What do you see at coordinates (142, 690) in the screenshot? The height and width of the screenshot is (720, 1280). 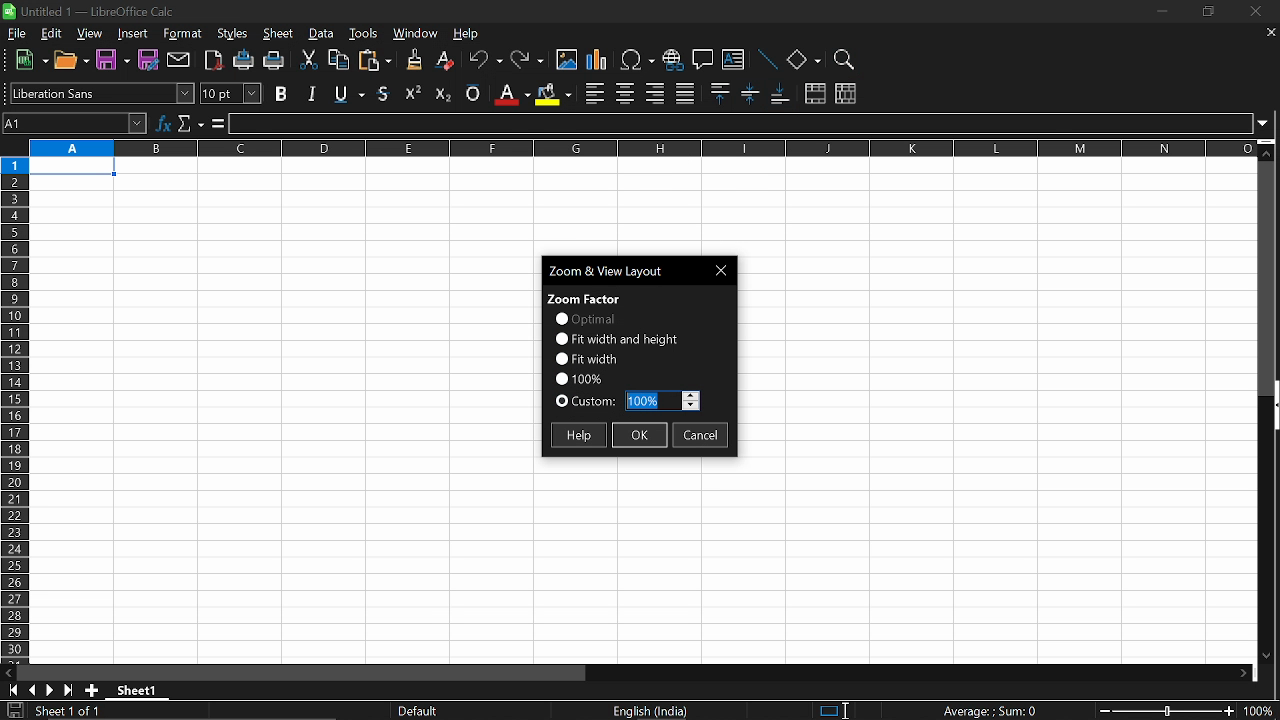 I see `sheet name` at bounding box center [142, 690].